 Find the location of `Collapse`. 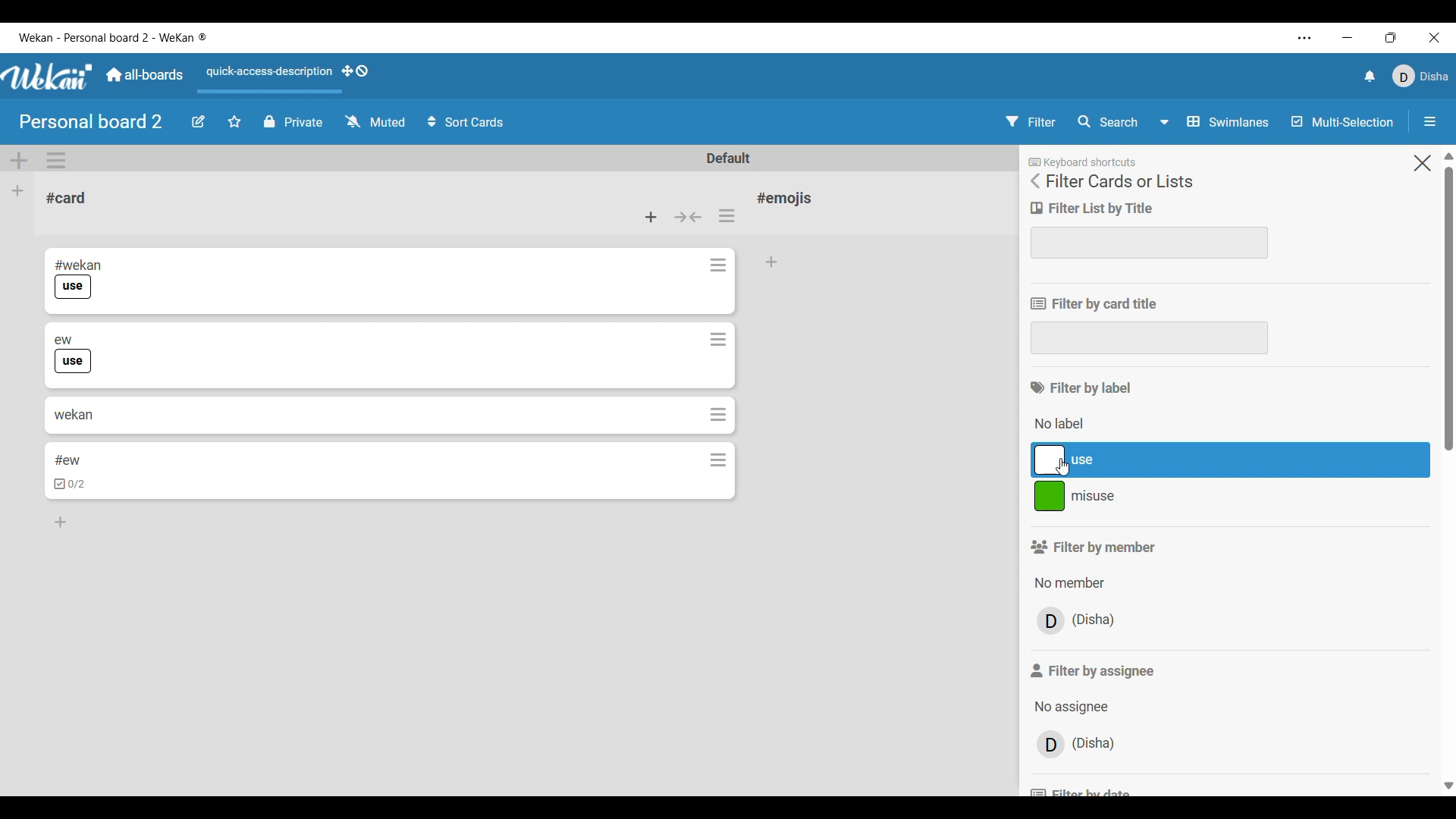

Collapse is located at coordinates (689, 217).